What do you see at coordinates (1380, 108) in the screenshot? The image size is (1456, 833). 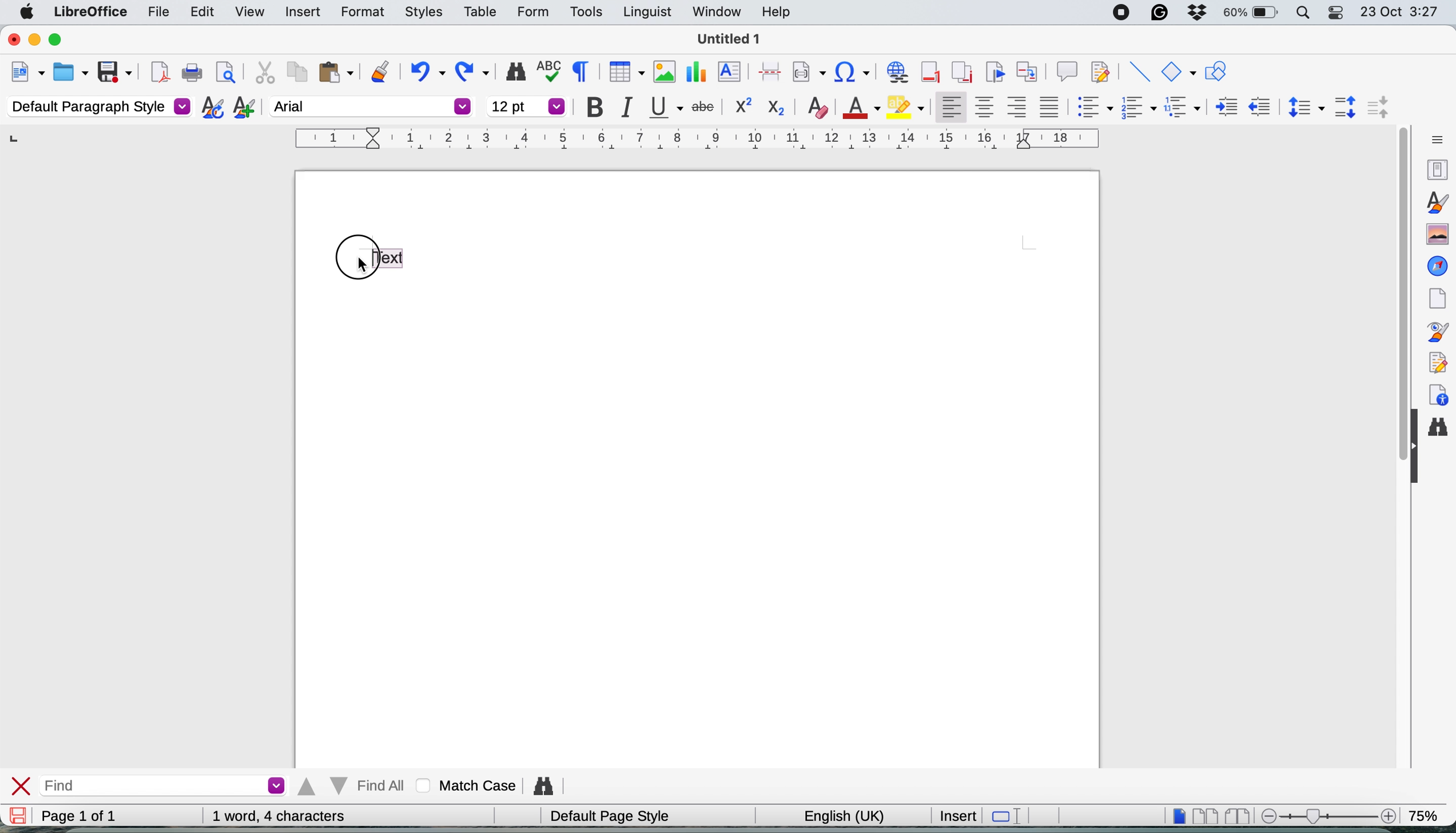 I see `decrease paragraph spacing` at bounding box center [1380, 108].